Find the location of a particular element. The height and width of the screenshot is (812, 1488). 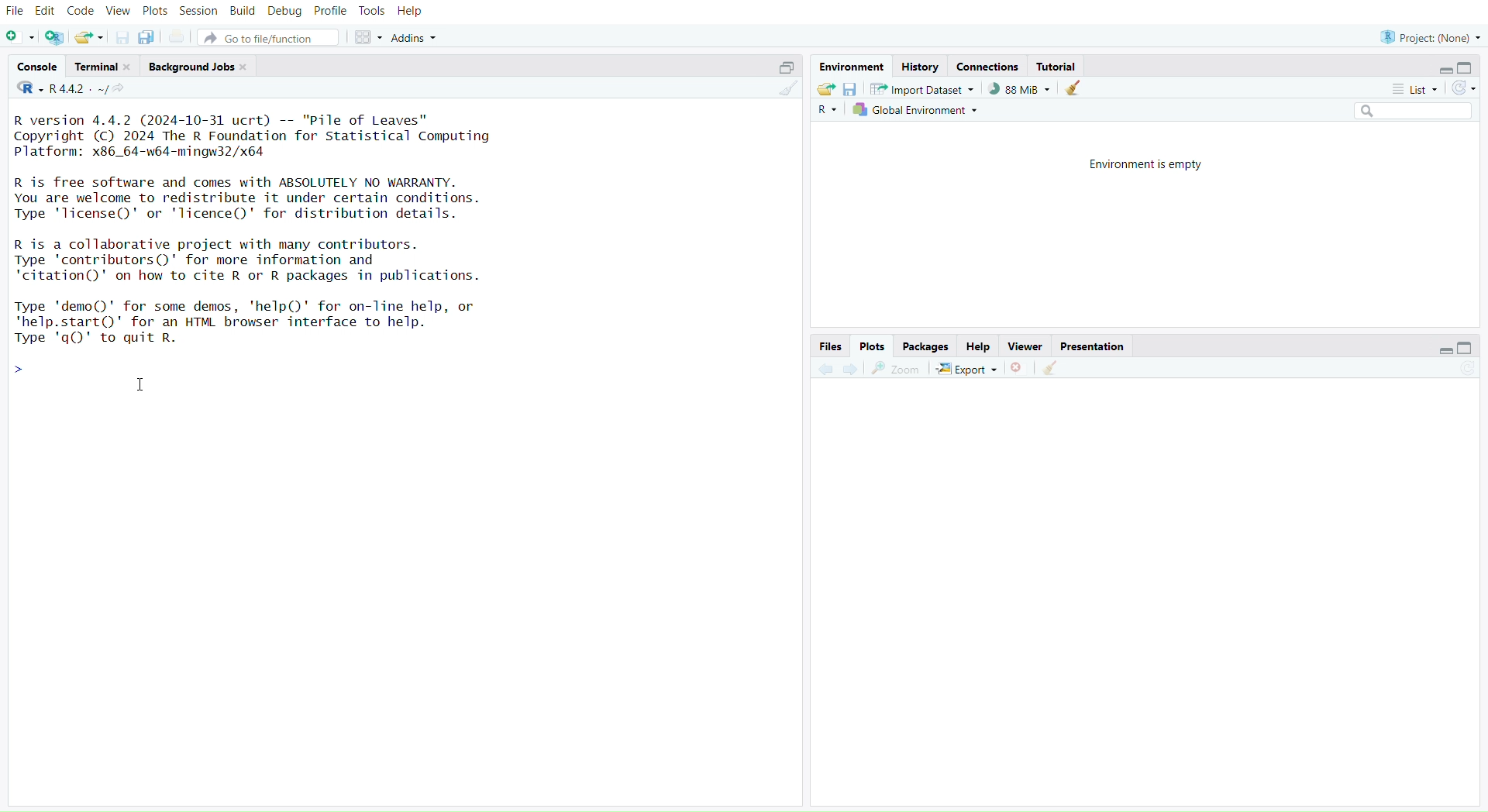

debug is located at coordinates (284, 12).